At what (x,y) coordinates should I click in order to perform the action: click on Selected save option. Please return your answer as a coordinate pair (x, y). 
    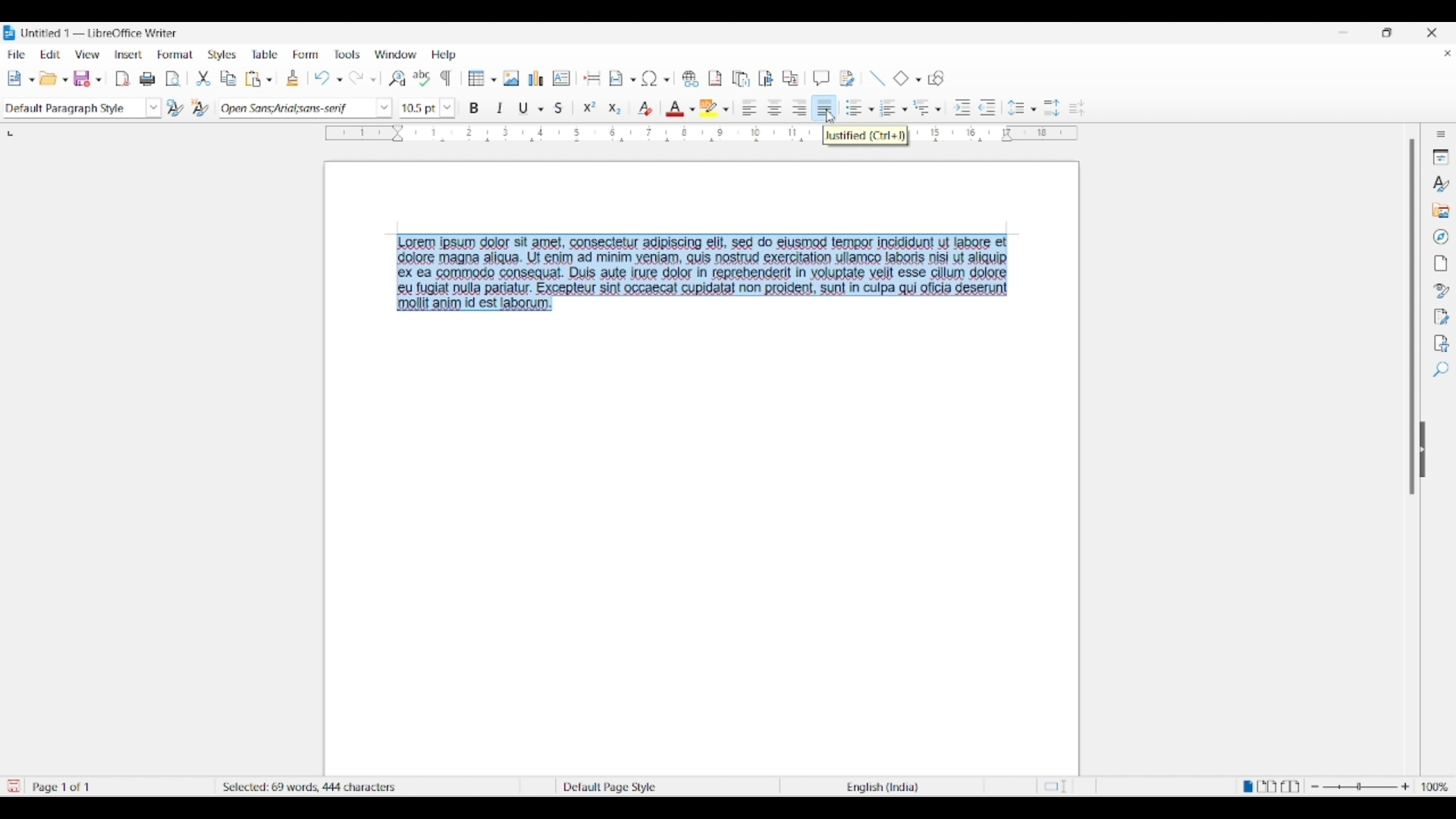
    Looking at the image, I should click on (86, 78).